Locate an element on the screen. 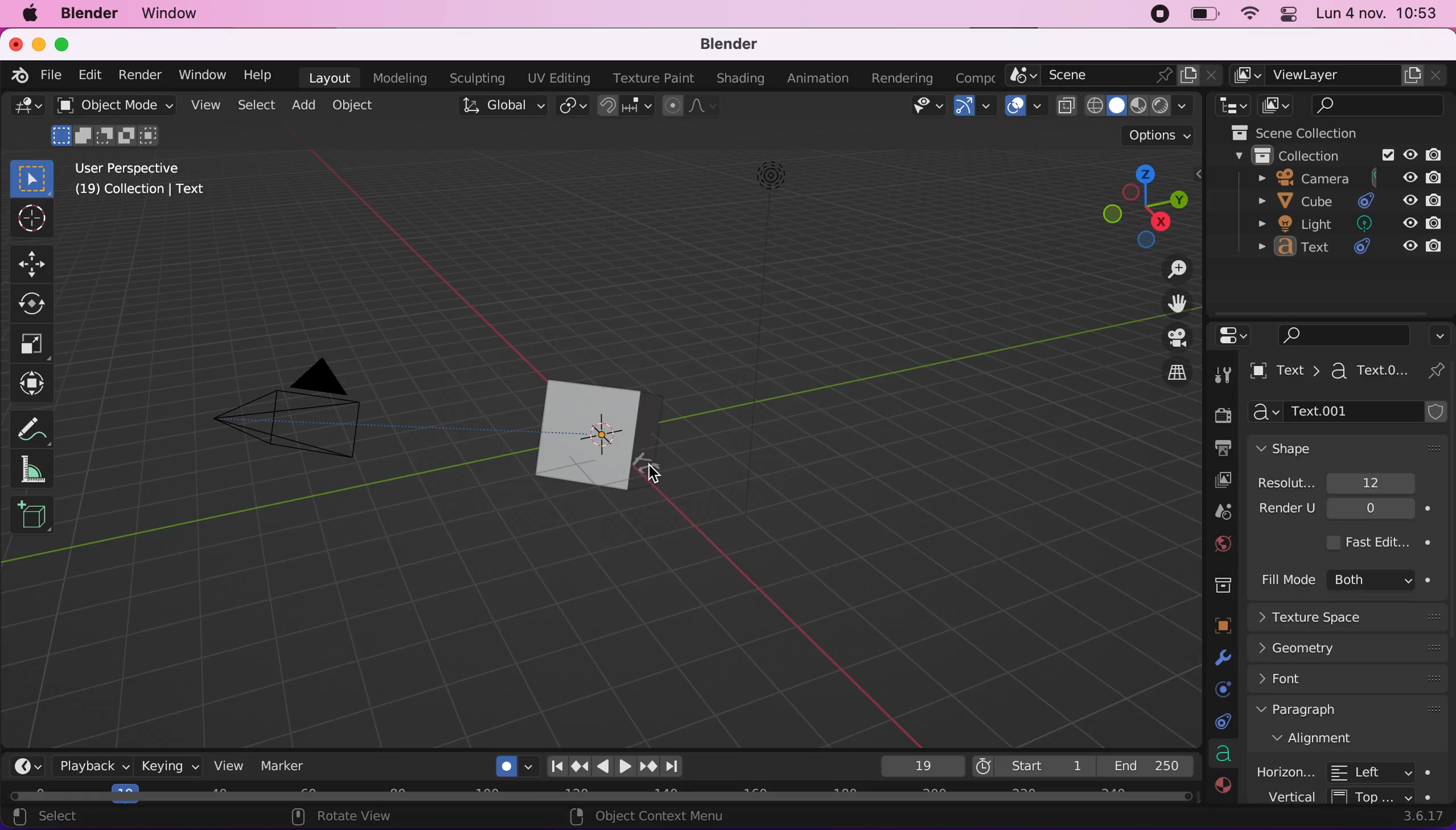  proportional editing objects is located at coordinates (690, 107).